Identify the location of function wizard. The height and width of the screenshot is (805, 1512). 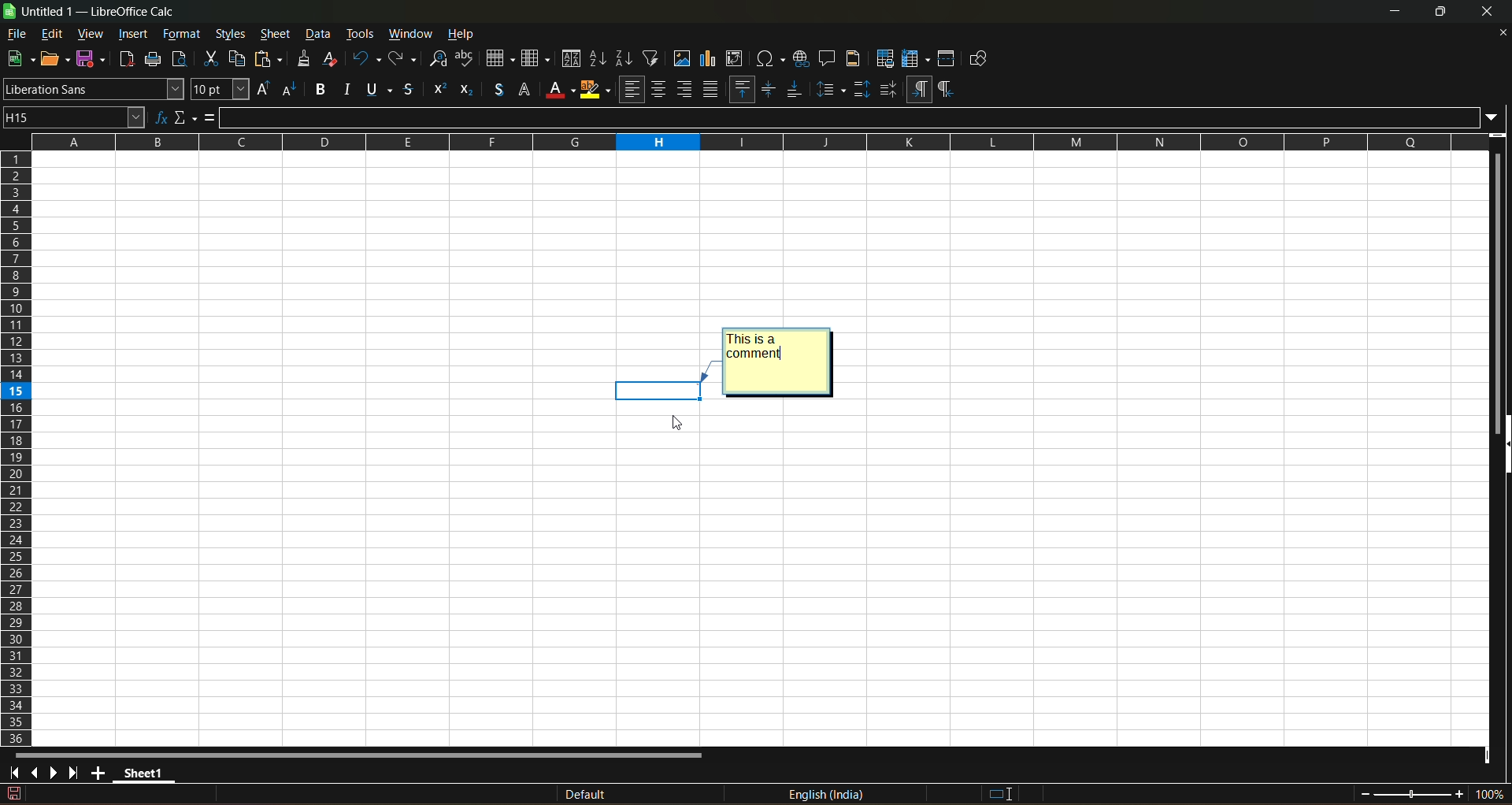
(161, 117).